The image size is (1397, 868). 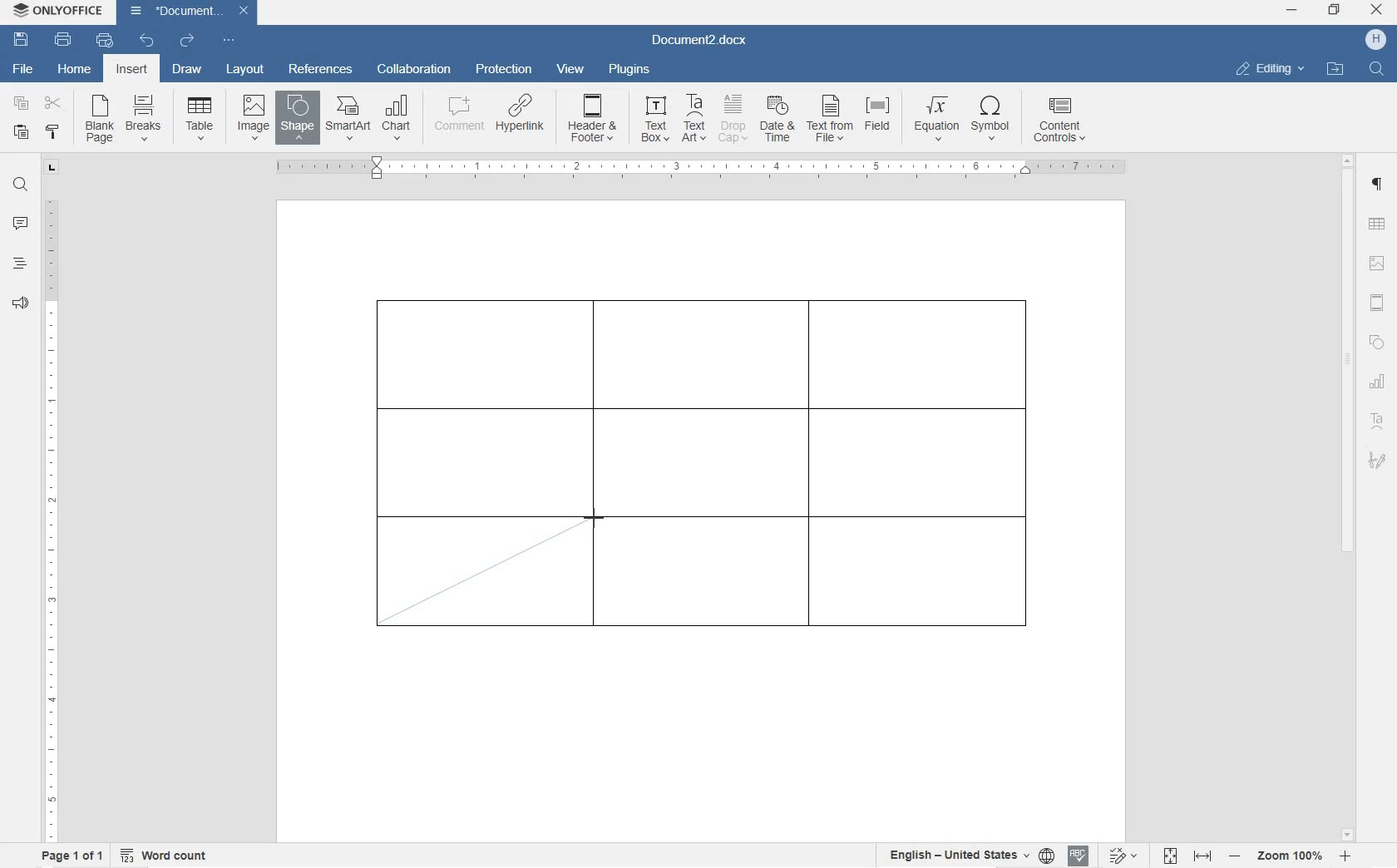 I want to click on home, so click(x=76, y=70).